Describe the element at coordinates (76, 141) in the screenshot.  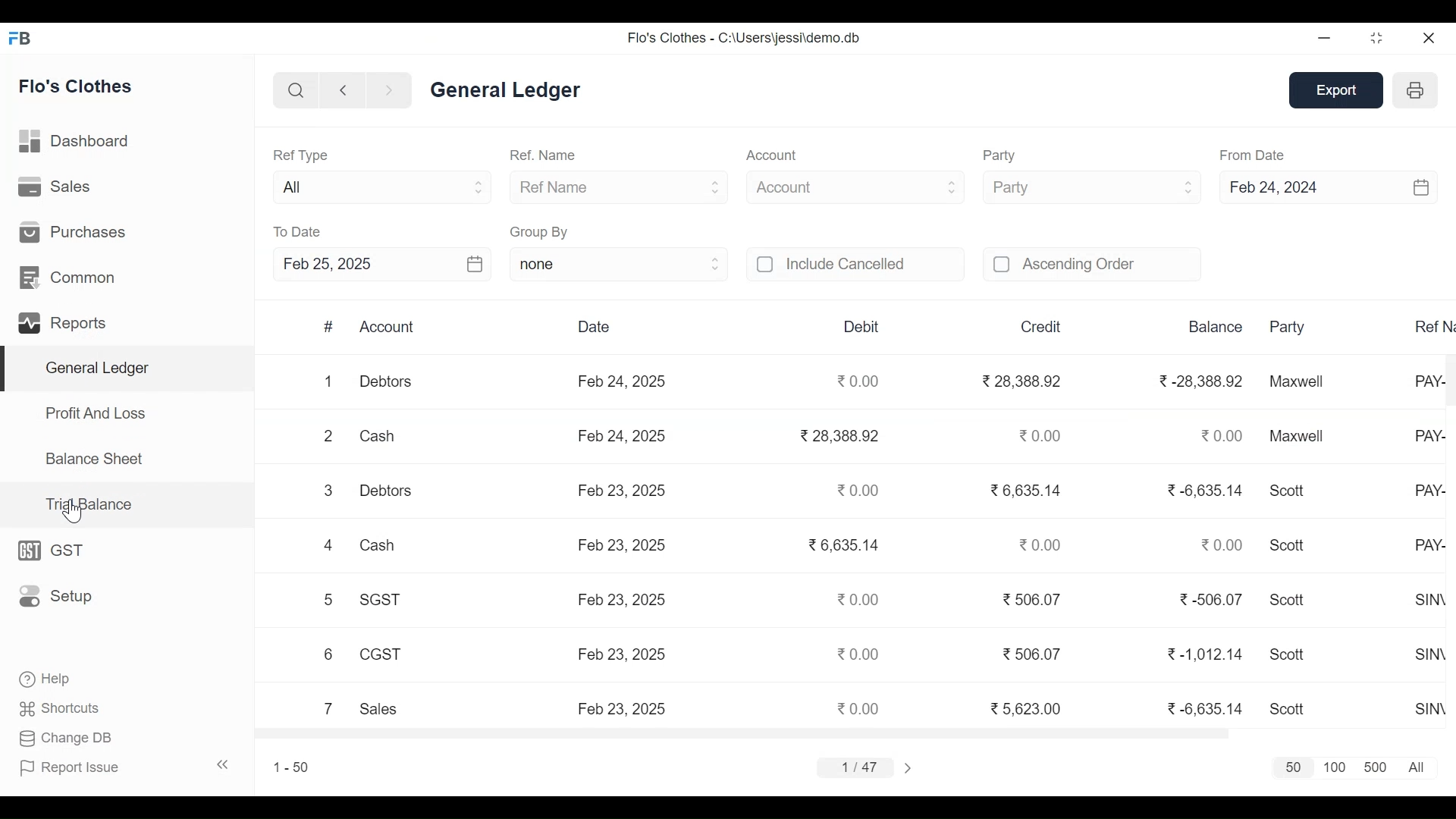
I see `Dashboard` at that location.